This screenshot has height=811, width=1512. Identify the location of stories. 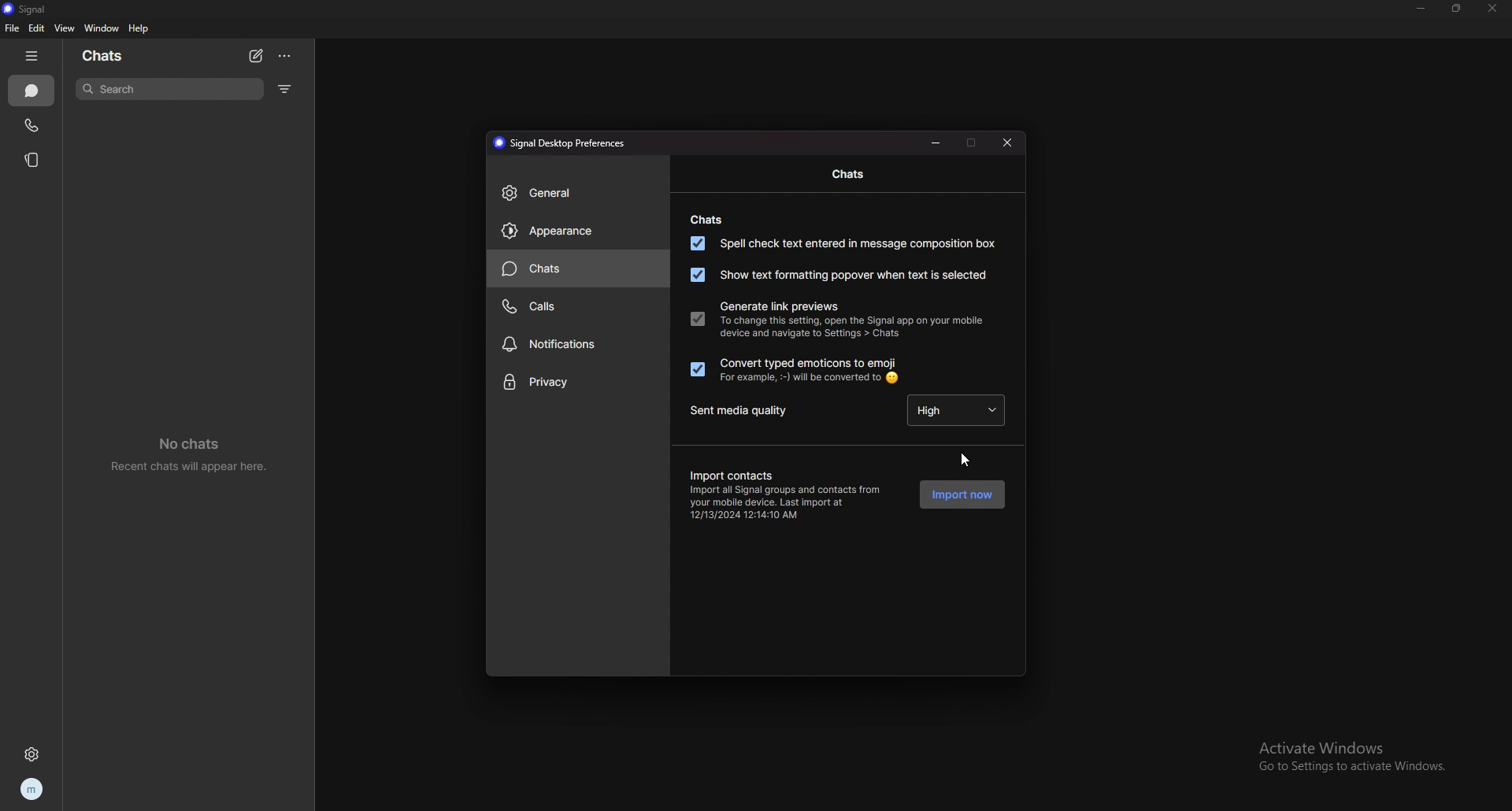
(35, 161).